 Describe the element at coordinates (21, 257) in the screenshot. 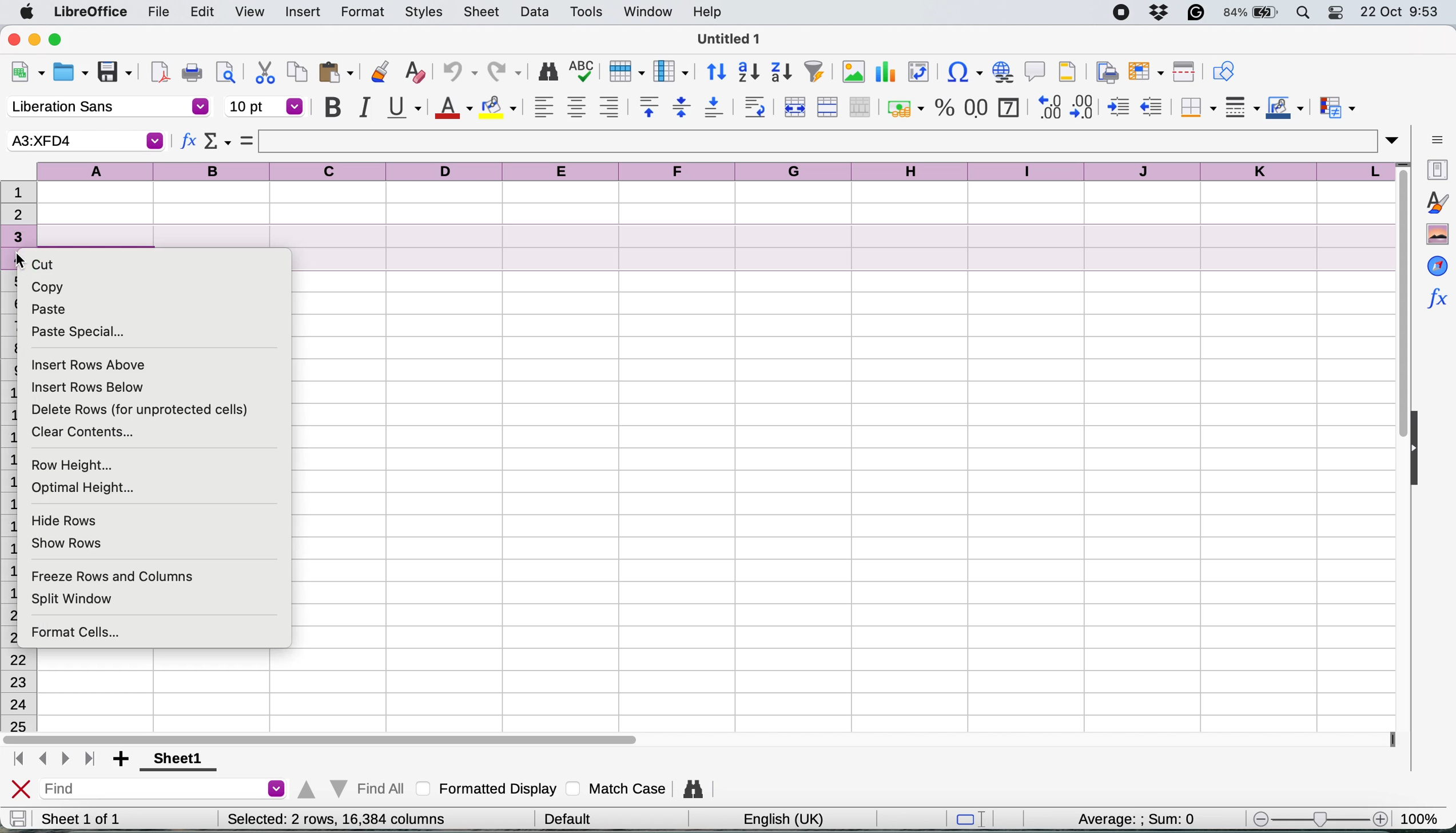

I see `cursor` at that location.